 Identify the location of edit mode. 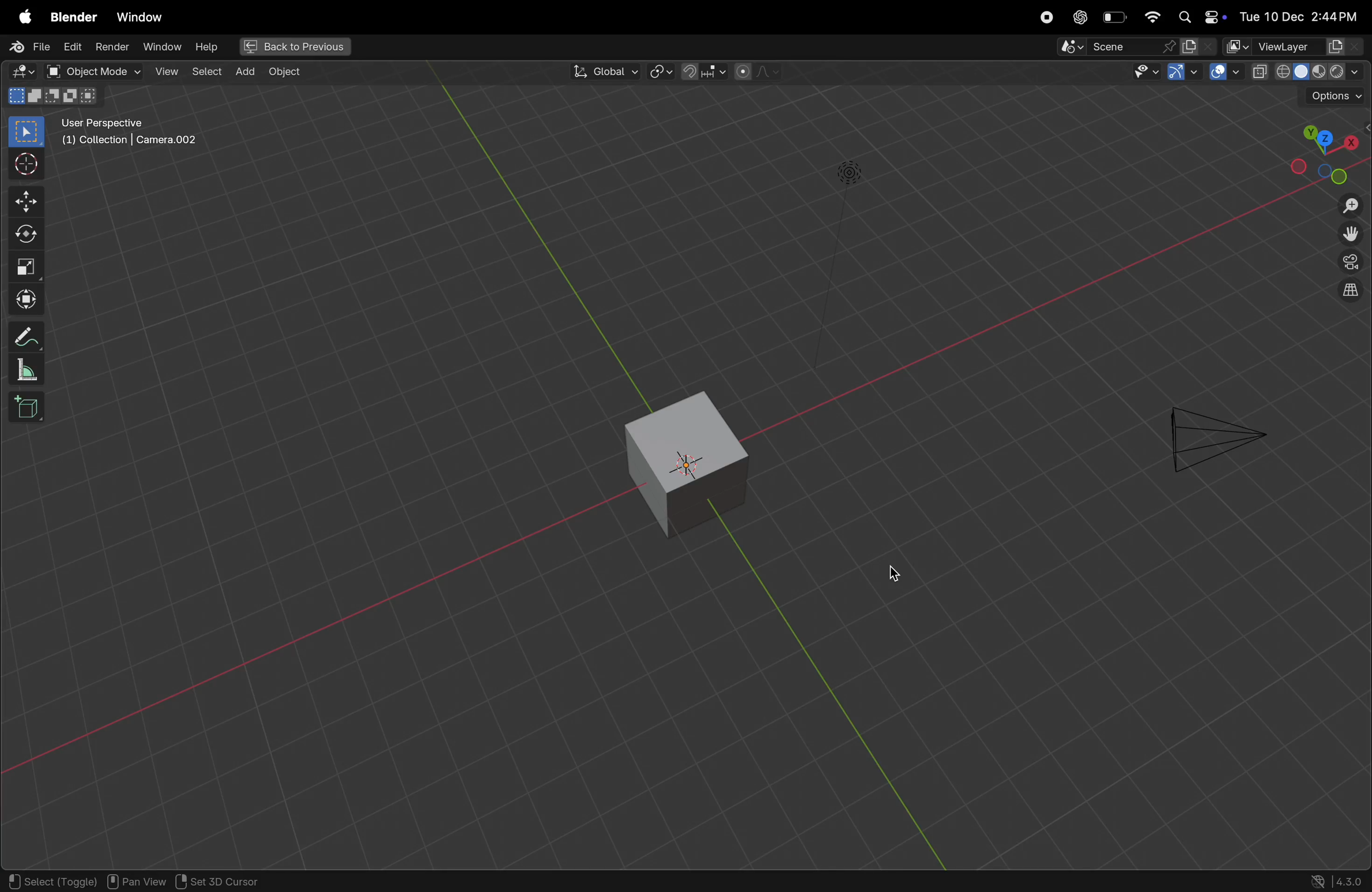
(24, 71).